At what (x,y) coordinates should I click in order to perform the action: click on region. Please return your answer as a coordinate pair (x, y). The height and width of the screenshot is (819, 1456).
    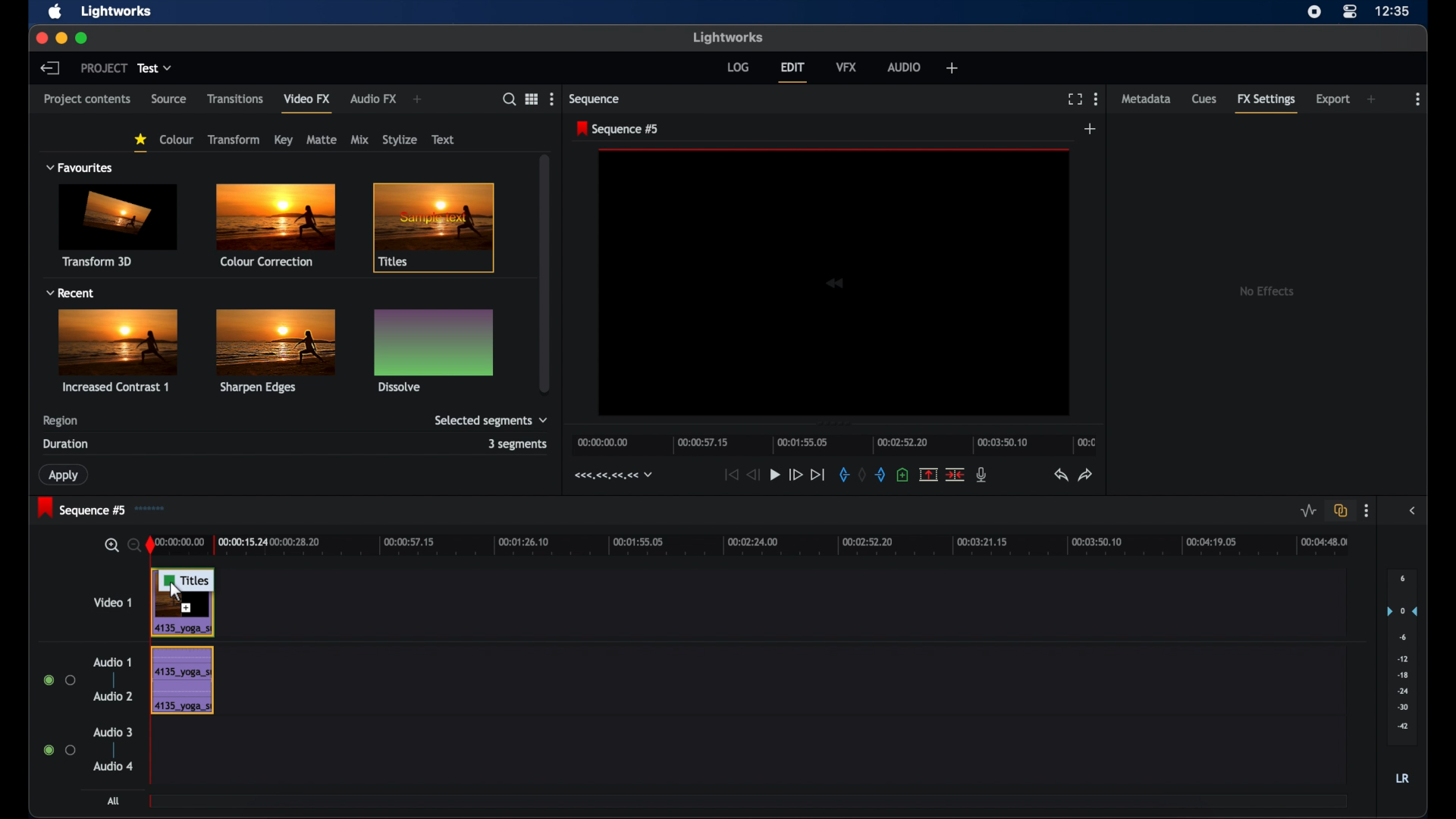
    Looking at the image, I should click on (61, 421).